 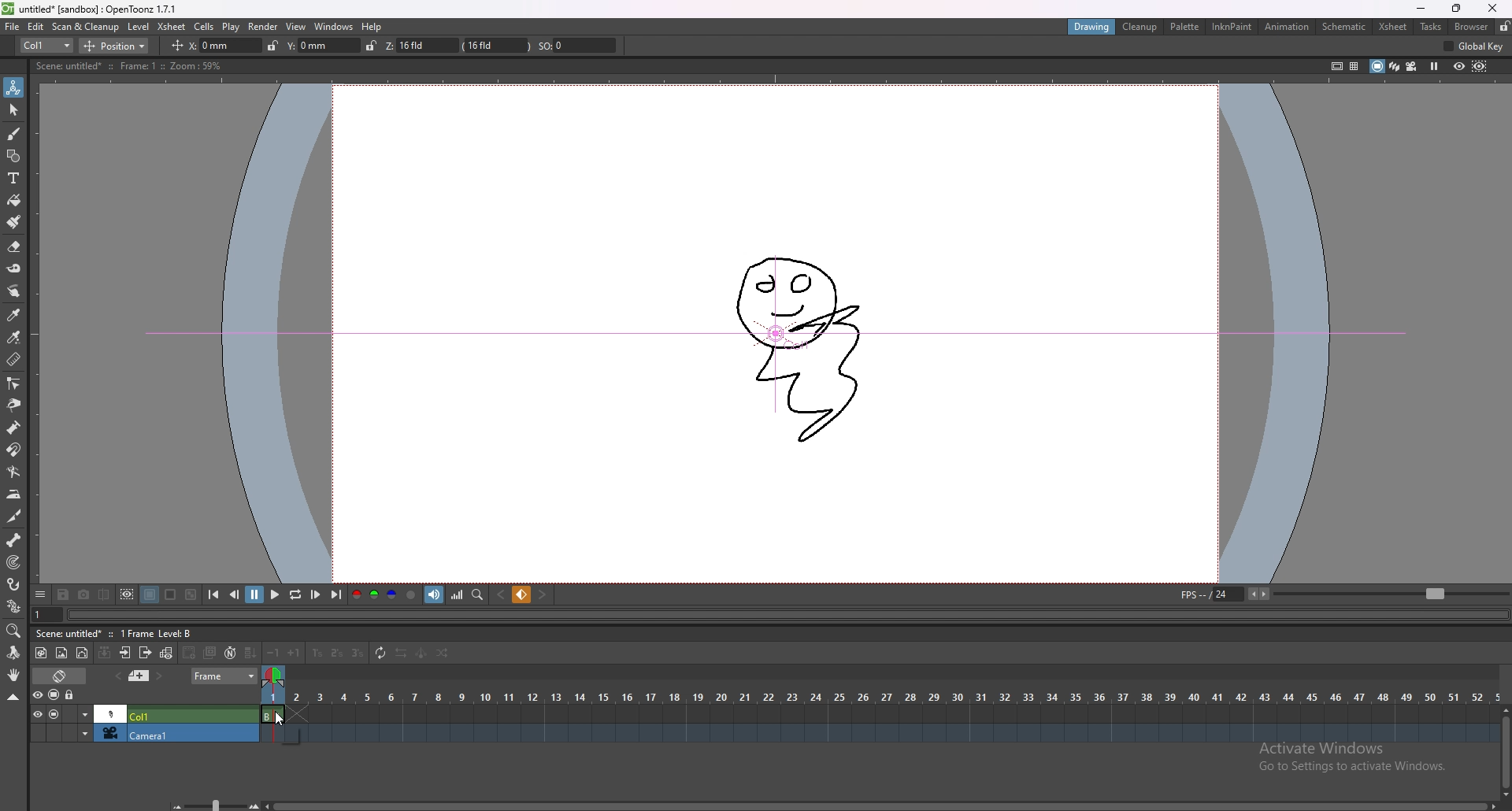 I want to click on white background, so click(x=170, y=594).